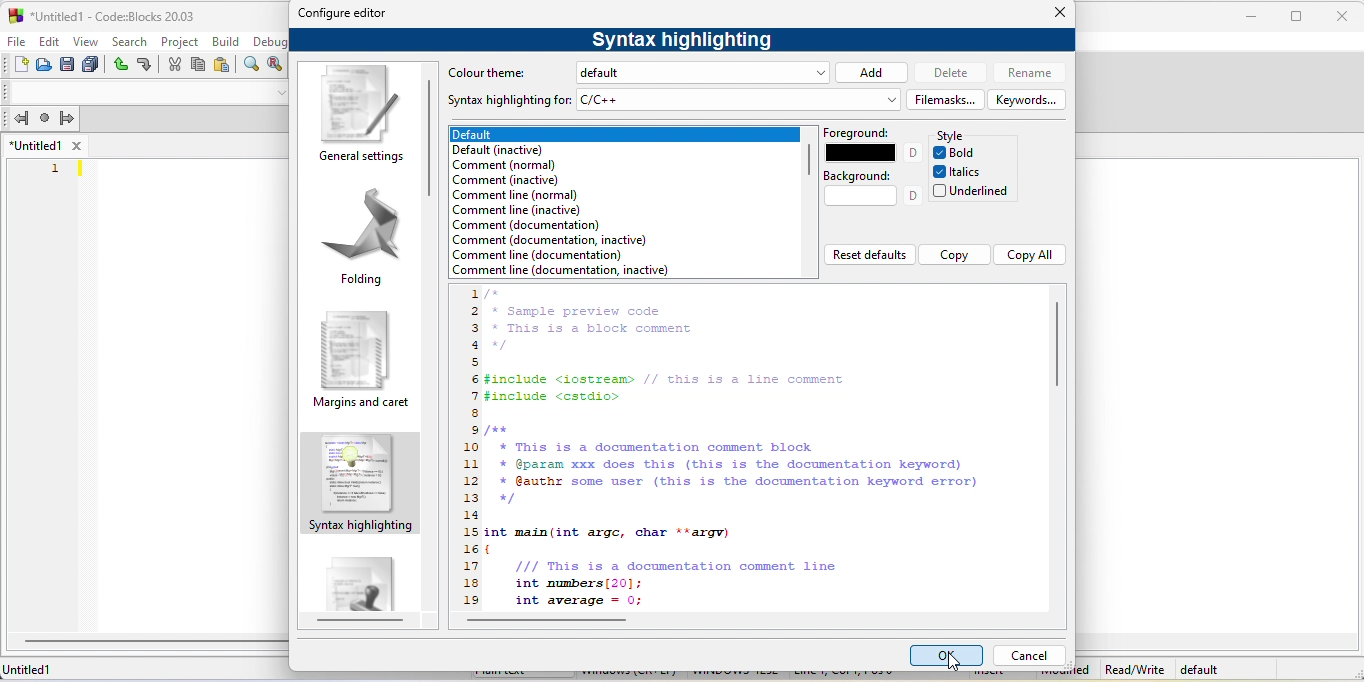 The height and width of the screenshot is (682, 1364). Describe the element at coordinates (624, 135) in the screenshot. I see `default` at that location.